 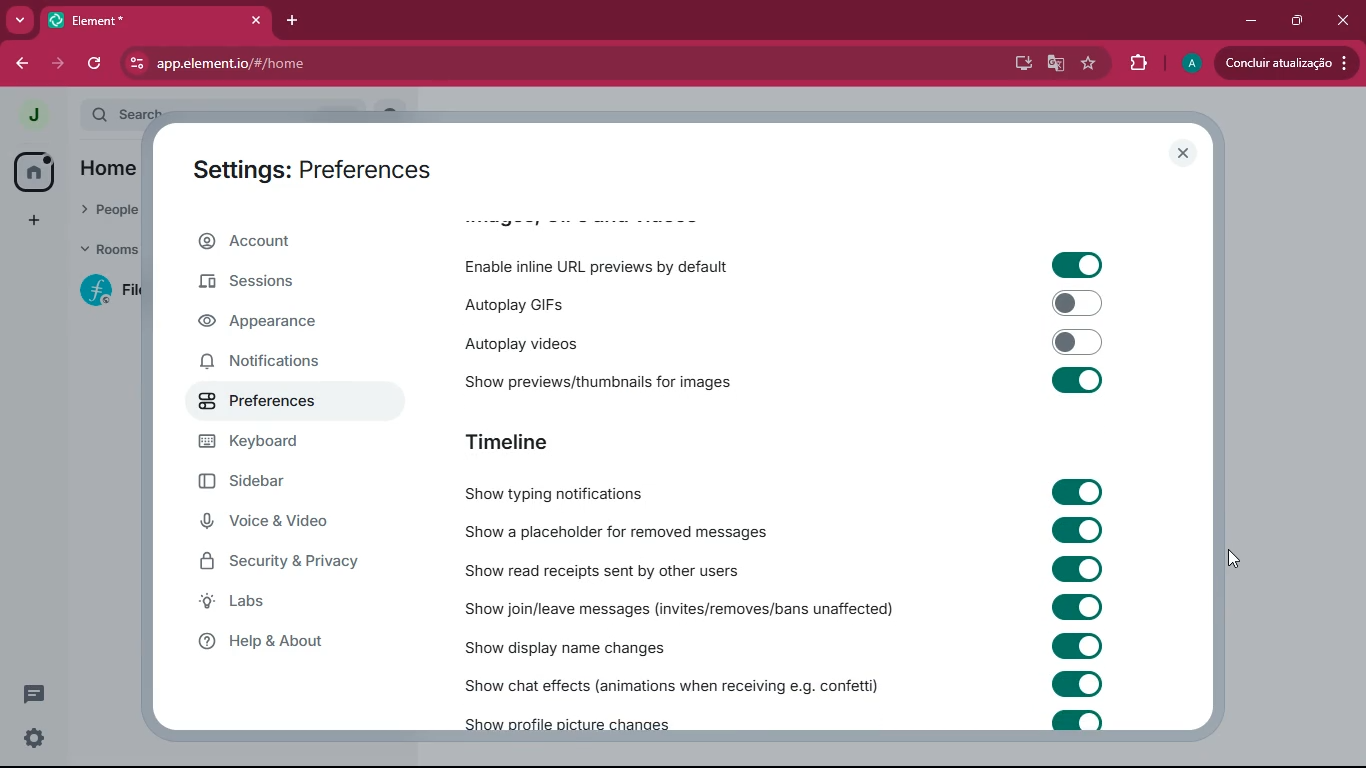 I want to click on autoplay GIFs, so click(x=558, y=303).